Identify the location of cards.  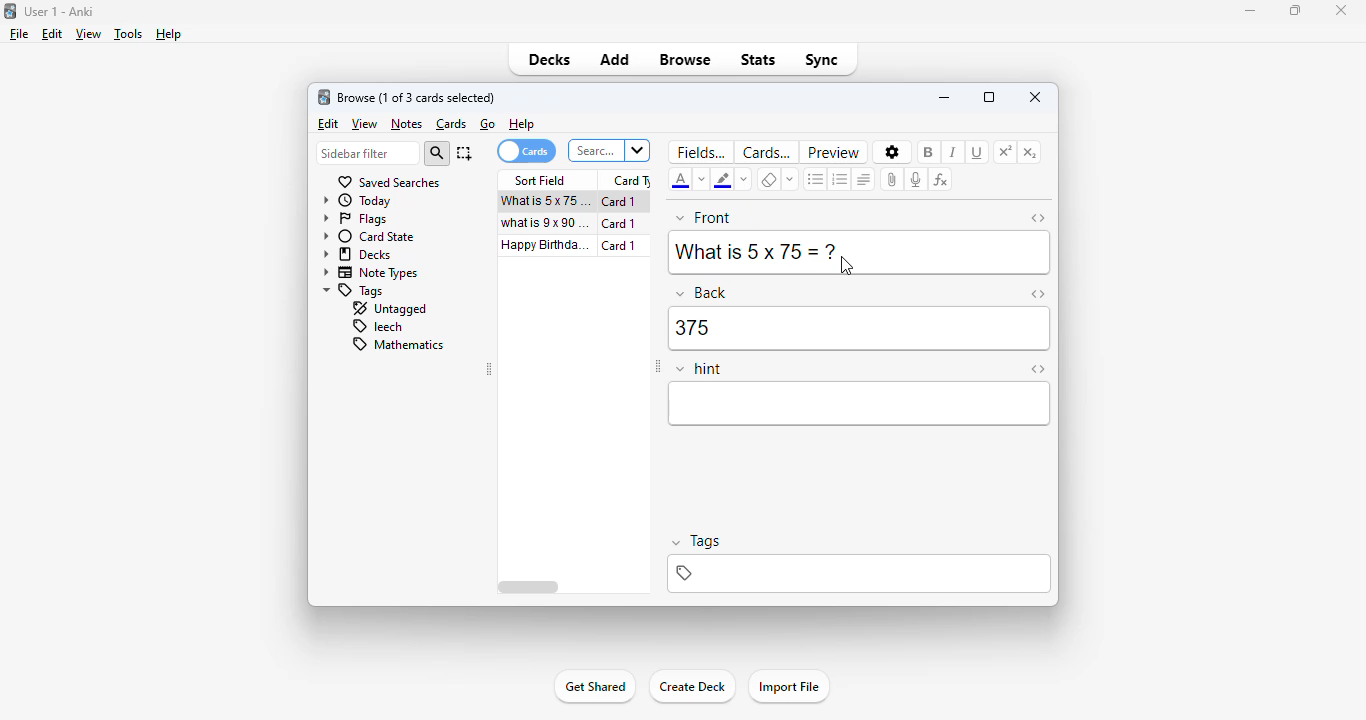
(527, 151).